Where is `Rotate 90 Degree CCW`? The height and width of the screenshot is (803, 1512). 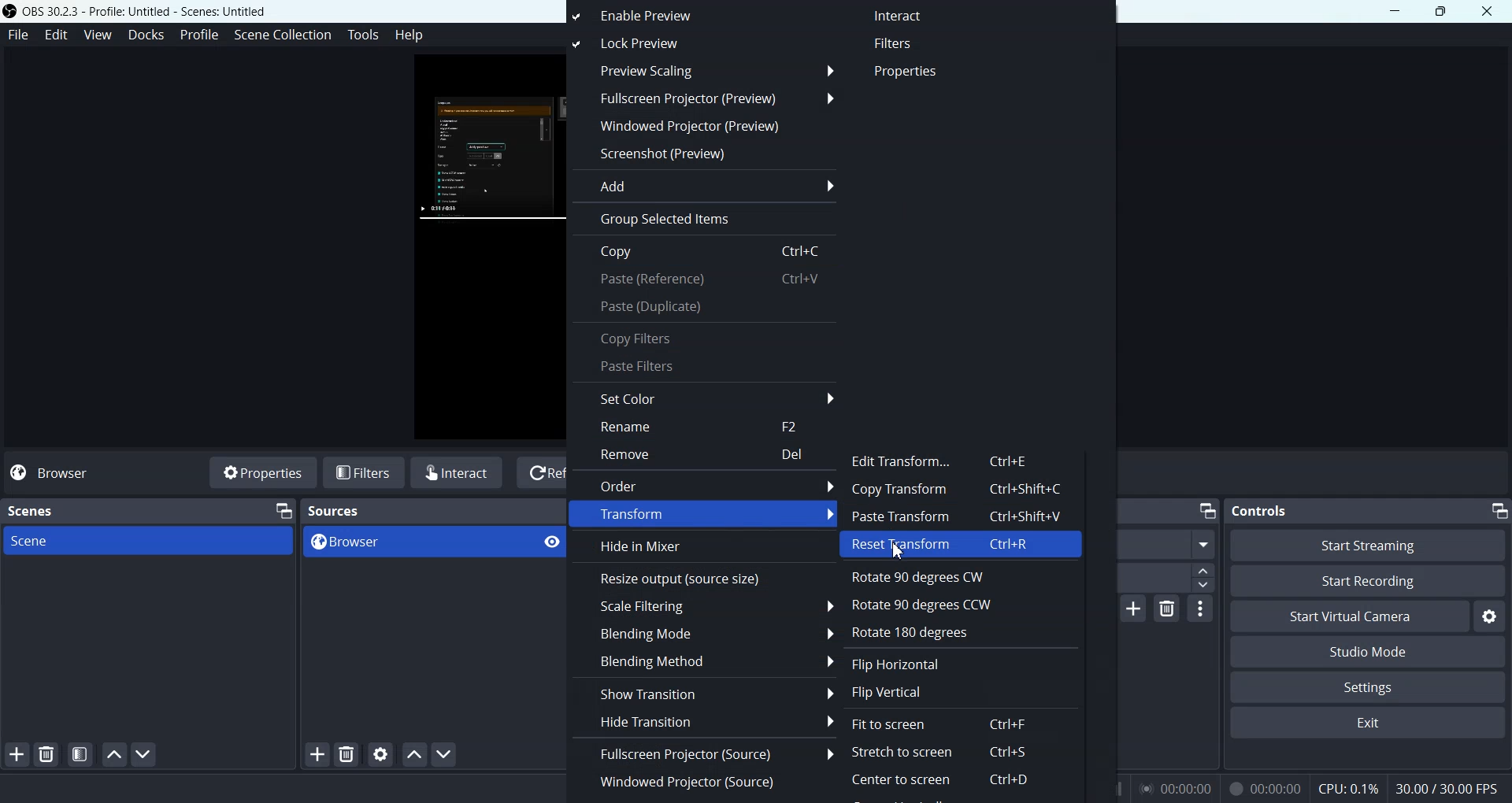
Rotate 90 Degree CCW is located at coordinates (927, 603).